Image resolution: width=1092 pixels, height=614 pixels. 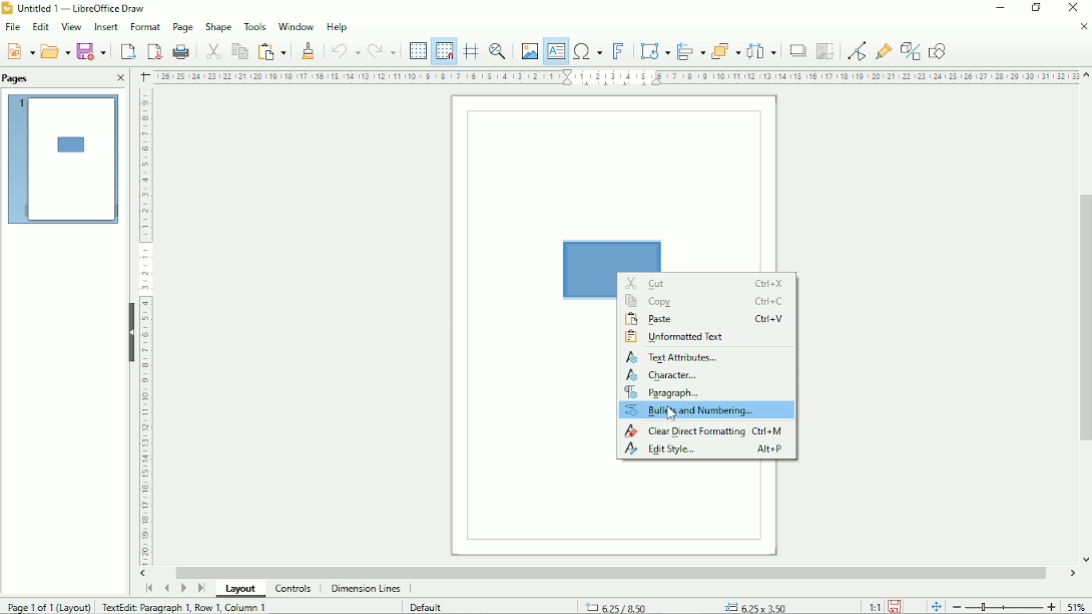 What do you see at coordinates (166, 588) in the screenshot?
I see `Scroll to previous page` at bounding box center [166, 588].